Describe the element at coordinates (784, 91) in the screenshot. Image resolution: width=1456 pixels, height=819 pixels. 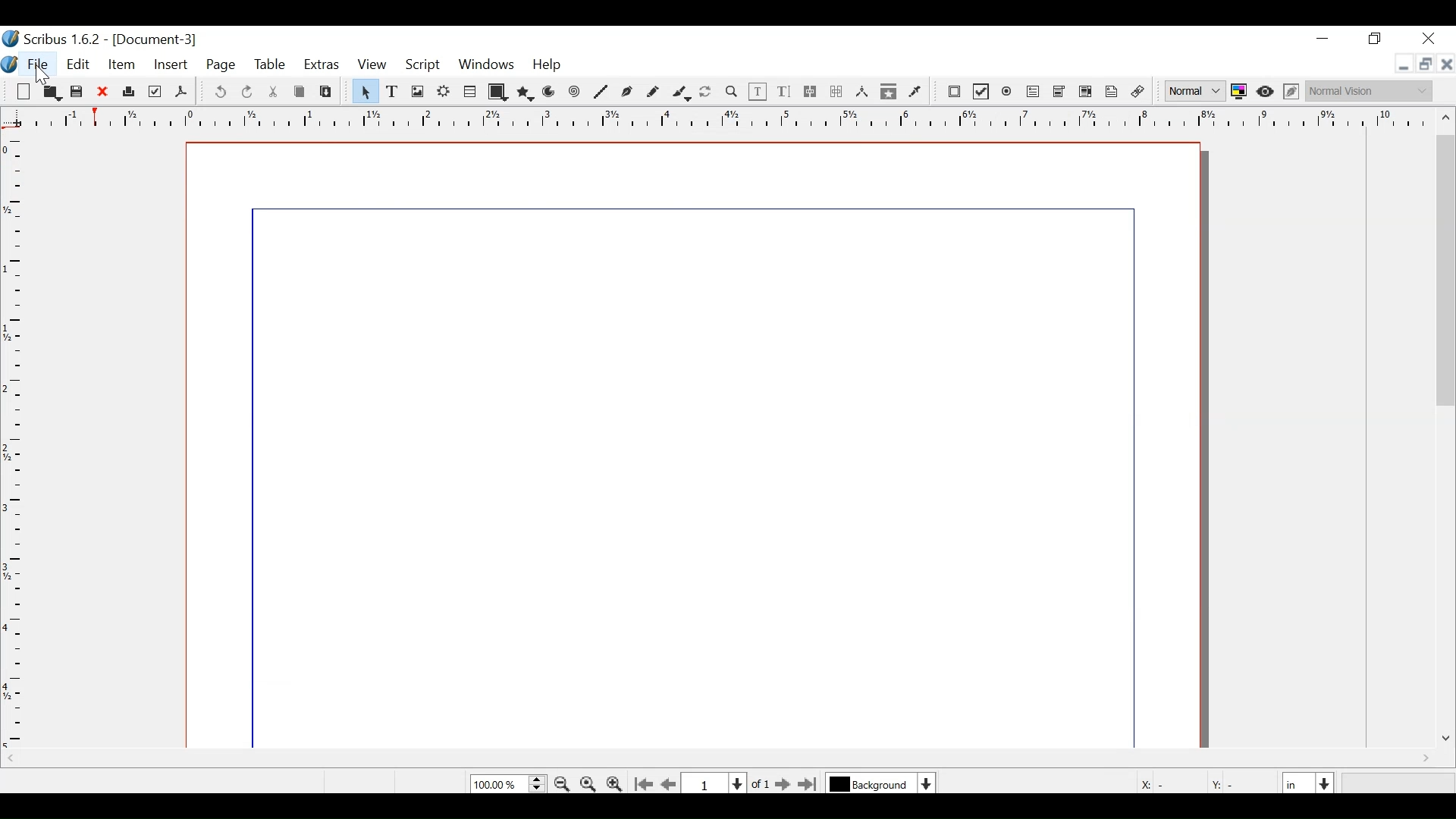
I see `Edit Text with story editor` at that location.